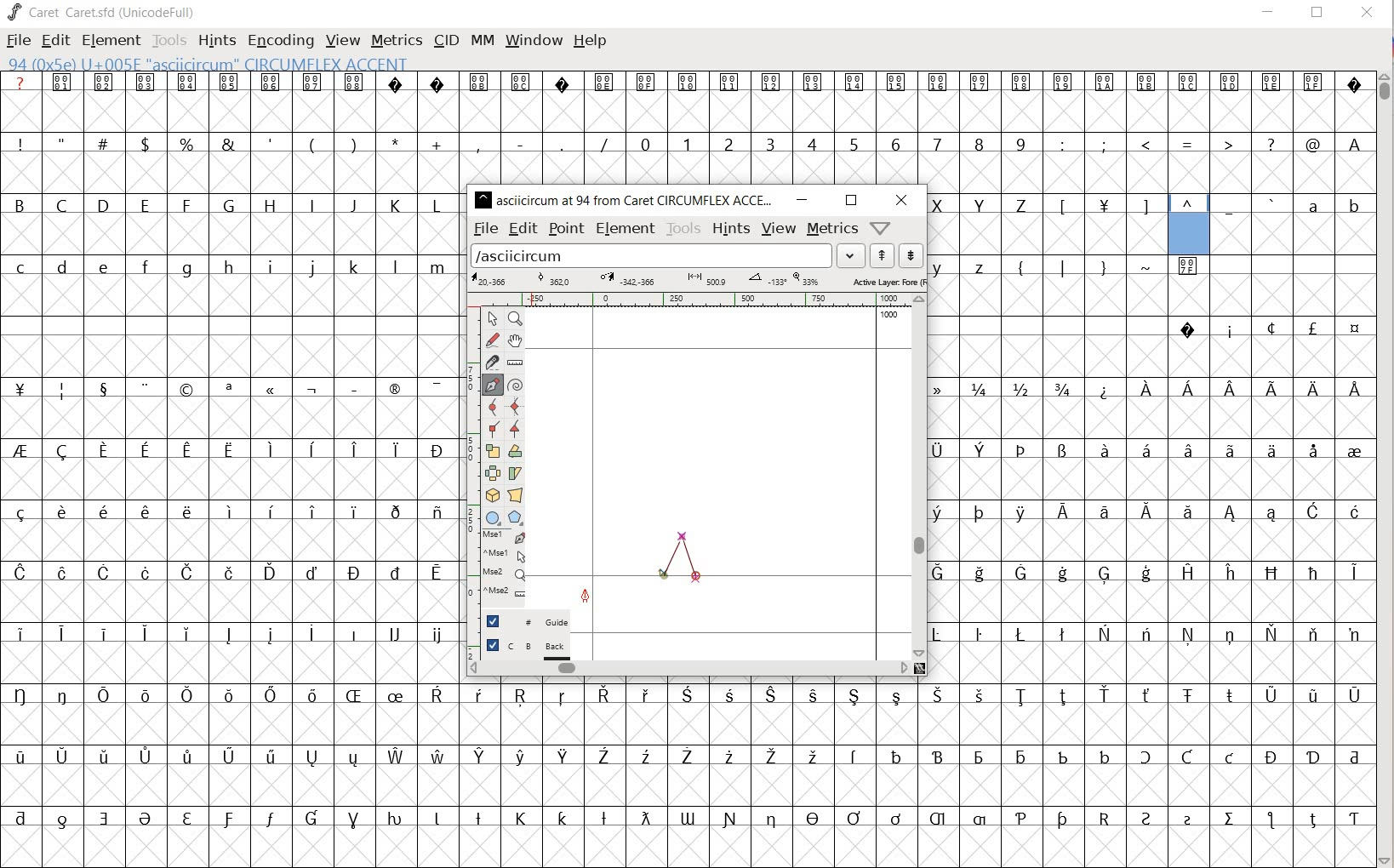 The image size is (1394, 868). What do you see at coordinates (490, 494) in the screenshot?
I see `rotate the selection in 3D and project back to plane` at bounding box center [490, 494].